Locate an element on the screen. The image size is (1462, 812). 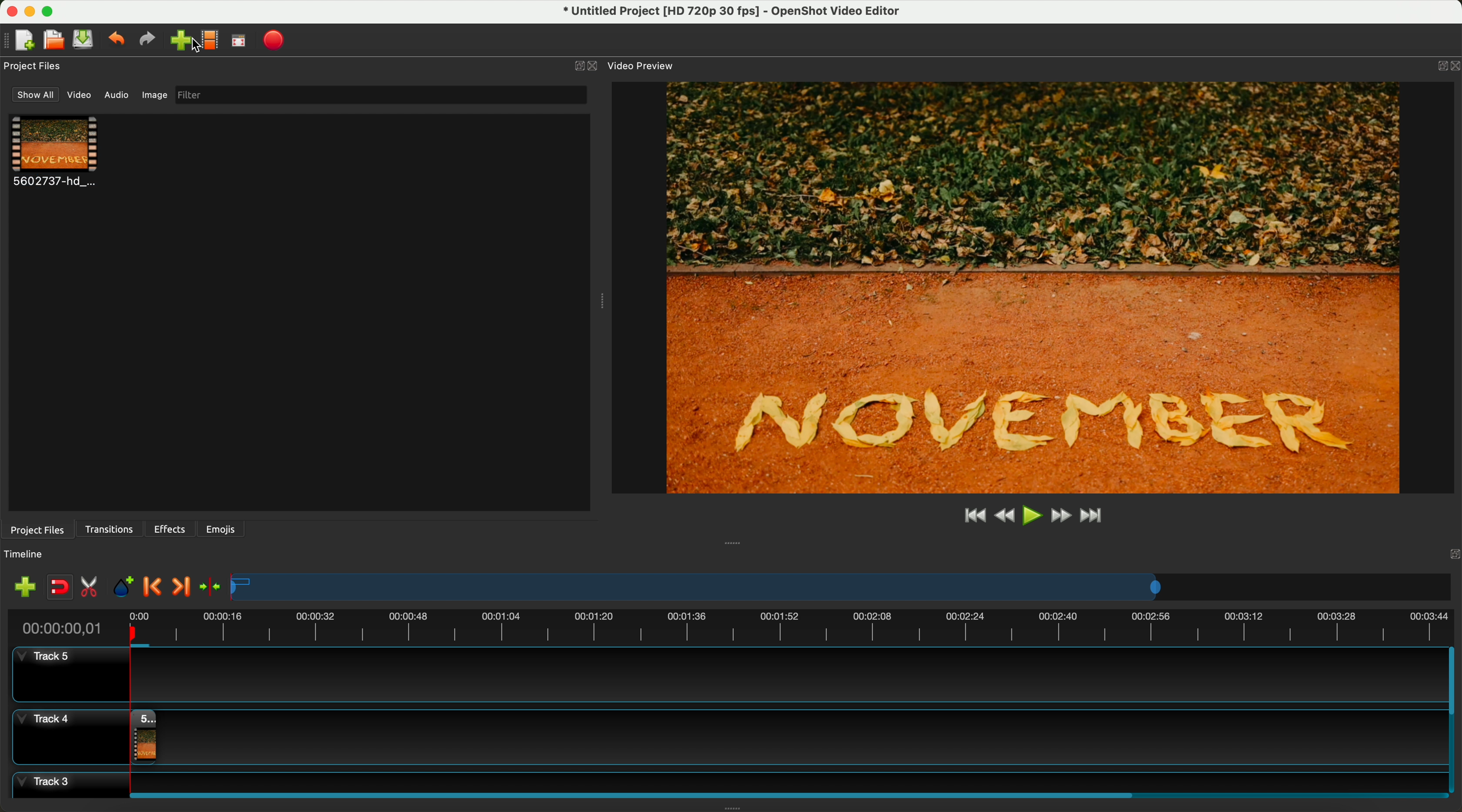
 is located at coordinates (1451, 553).